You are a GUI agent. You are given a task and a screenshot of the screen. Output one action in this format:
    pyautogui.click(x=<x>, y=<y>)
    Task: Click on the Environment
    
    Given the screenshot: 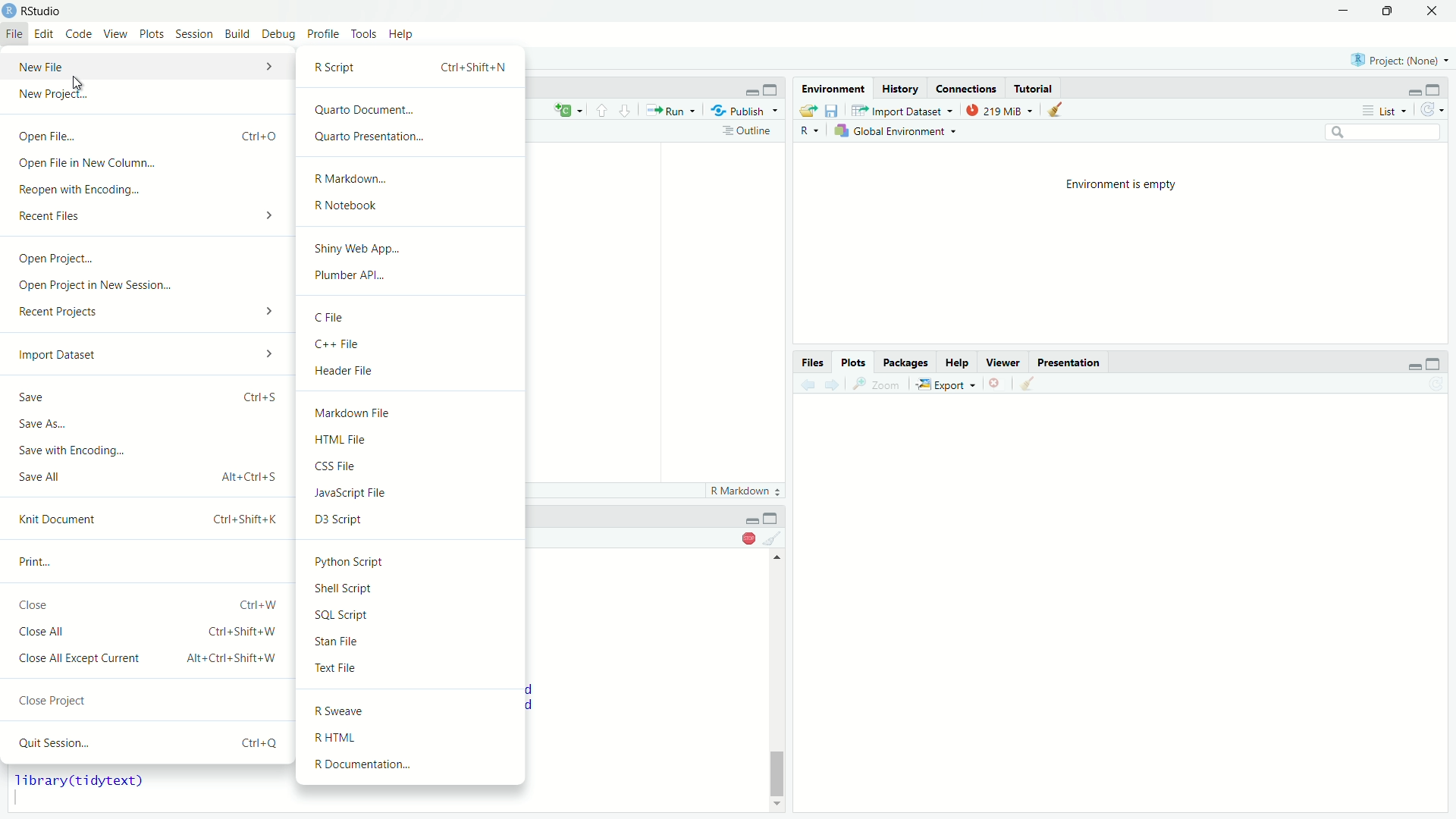 What is the action you would take?
    pyautogui.click(x=832, y=87)
    